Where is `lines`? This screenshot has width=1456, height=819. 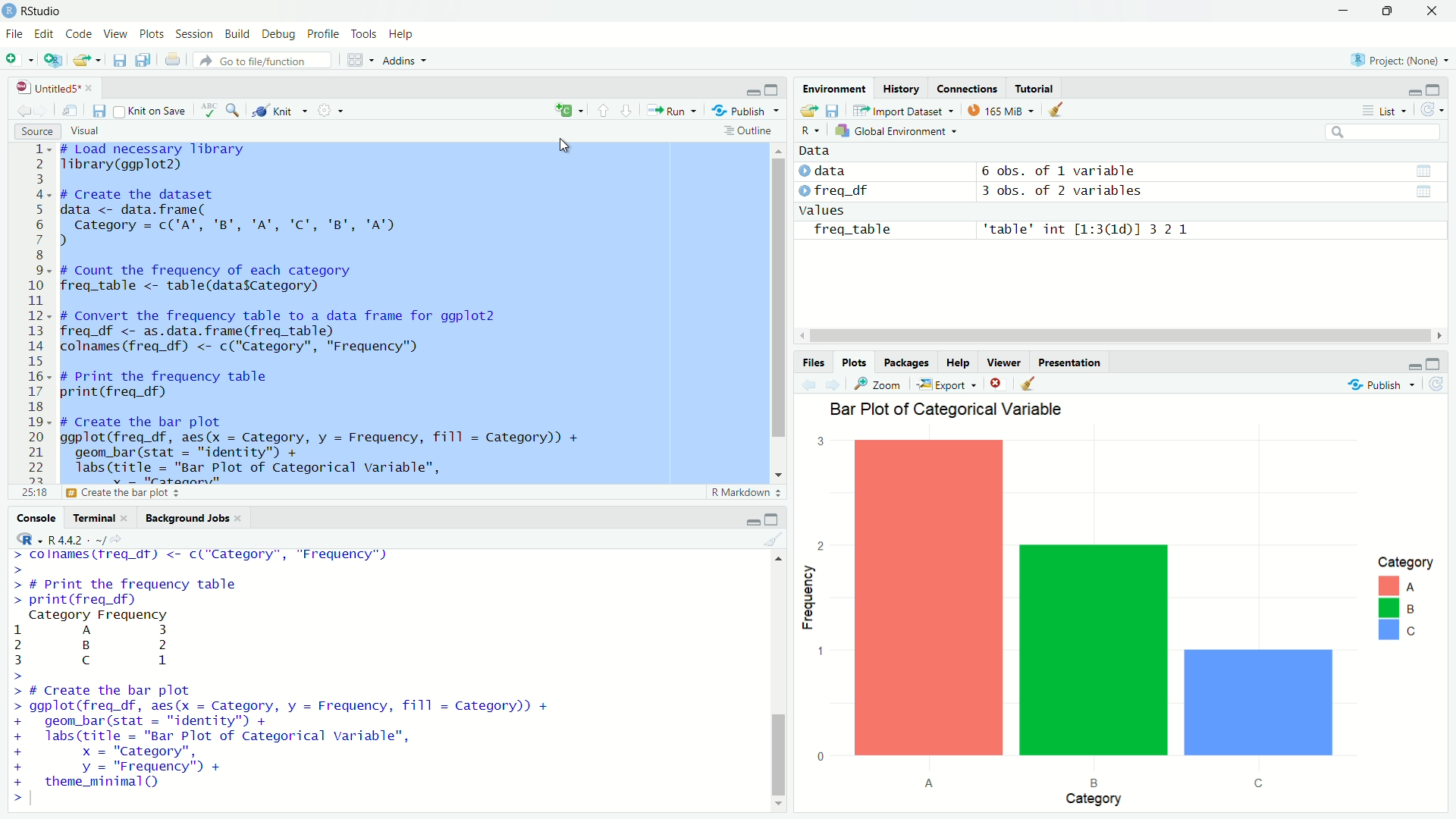
lines is located at coordinates (35, 322).